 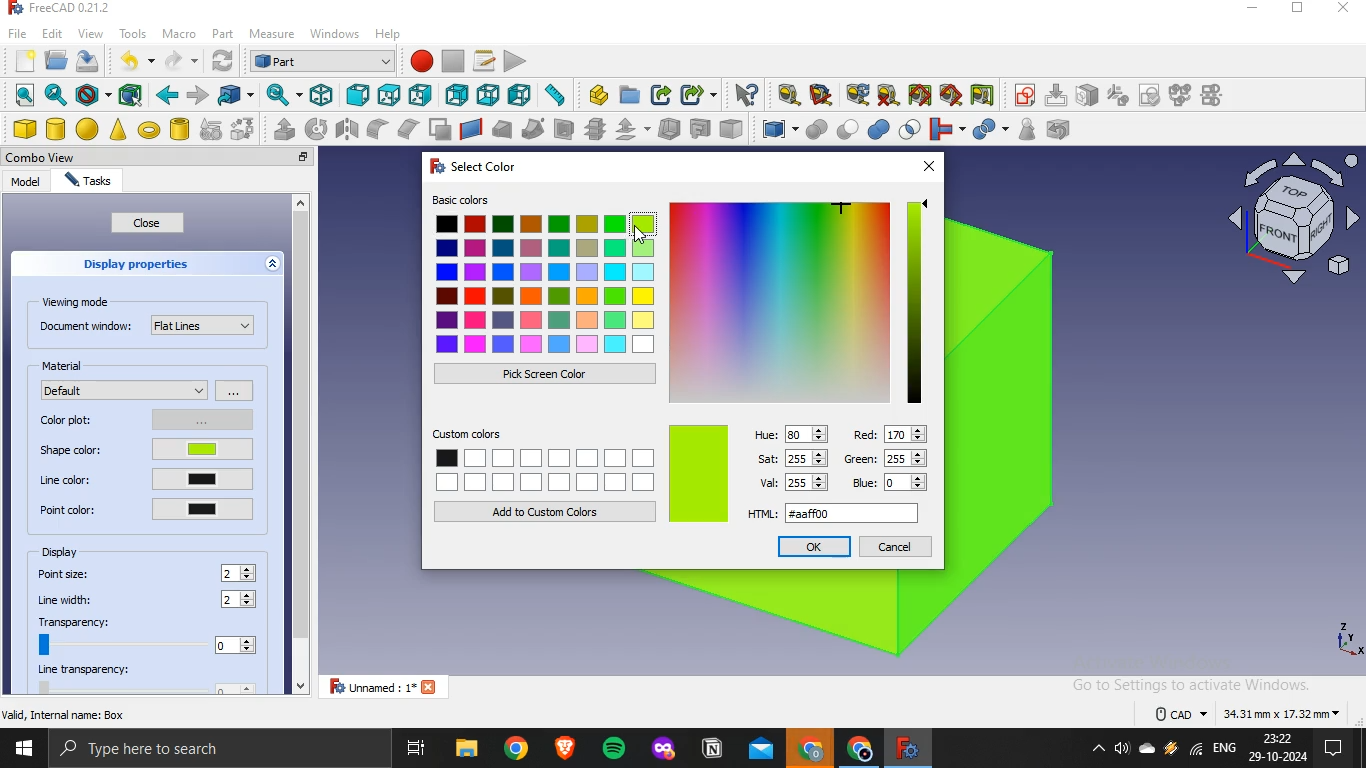 I want to click on create primitive, so click(x=211, y=129).